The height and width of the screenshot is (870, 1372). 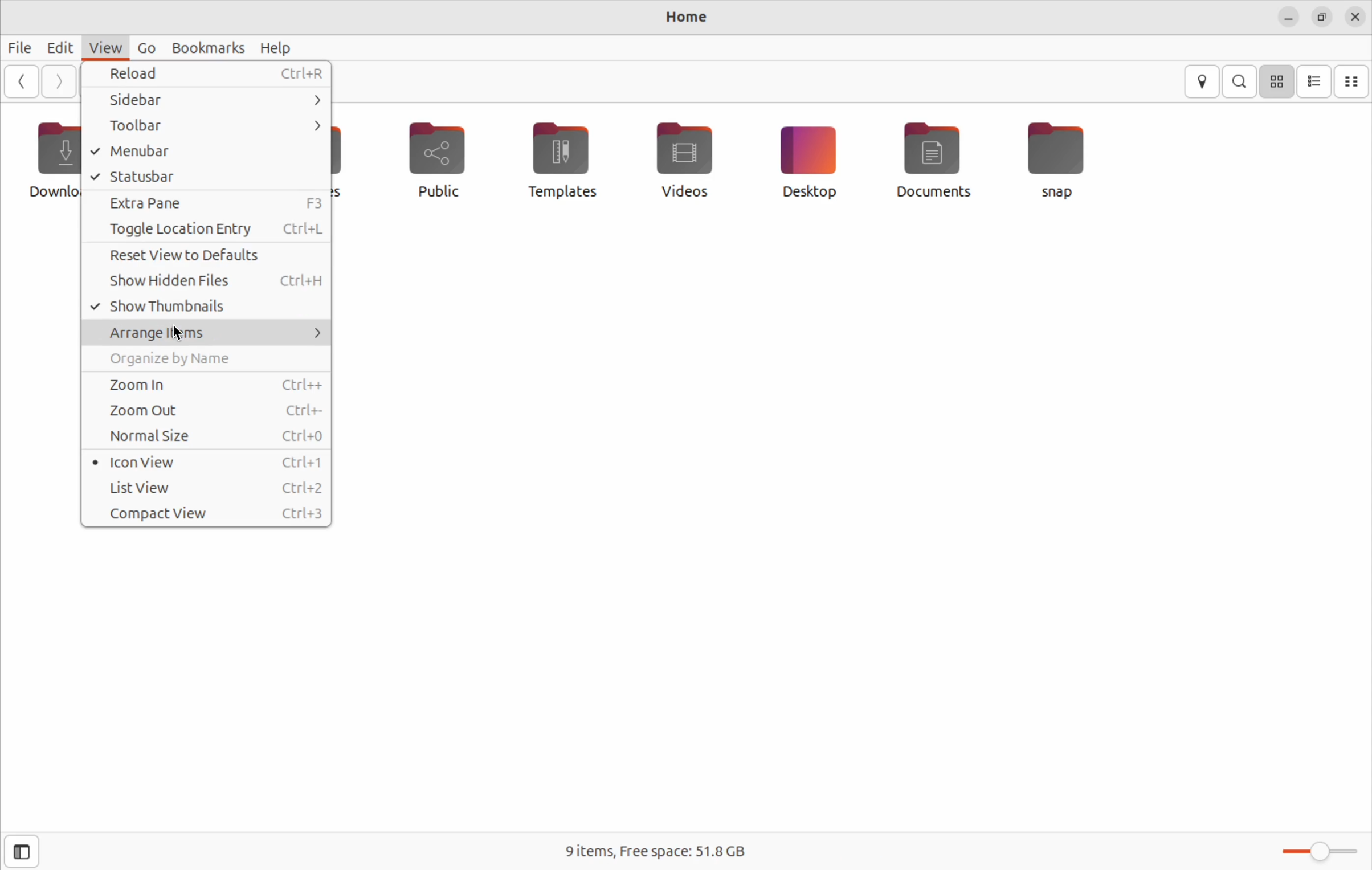 What do you see at coordinates (933, 160) in the screenshot?
I see `Documents` at bounding box center [933, 160].